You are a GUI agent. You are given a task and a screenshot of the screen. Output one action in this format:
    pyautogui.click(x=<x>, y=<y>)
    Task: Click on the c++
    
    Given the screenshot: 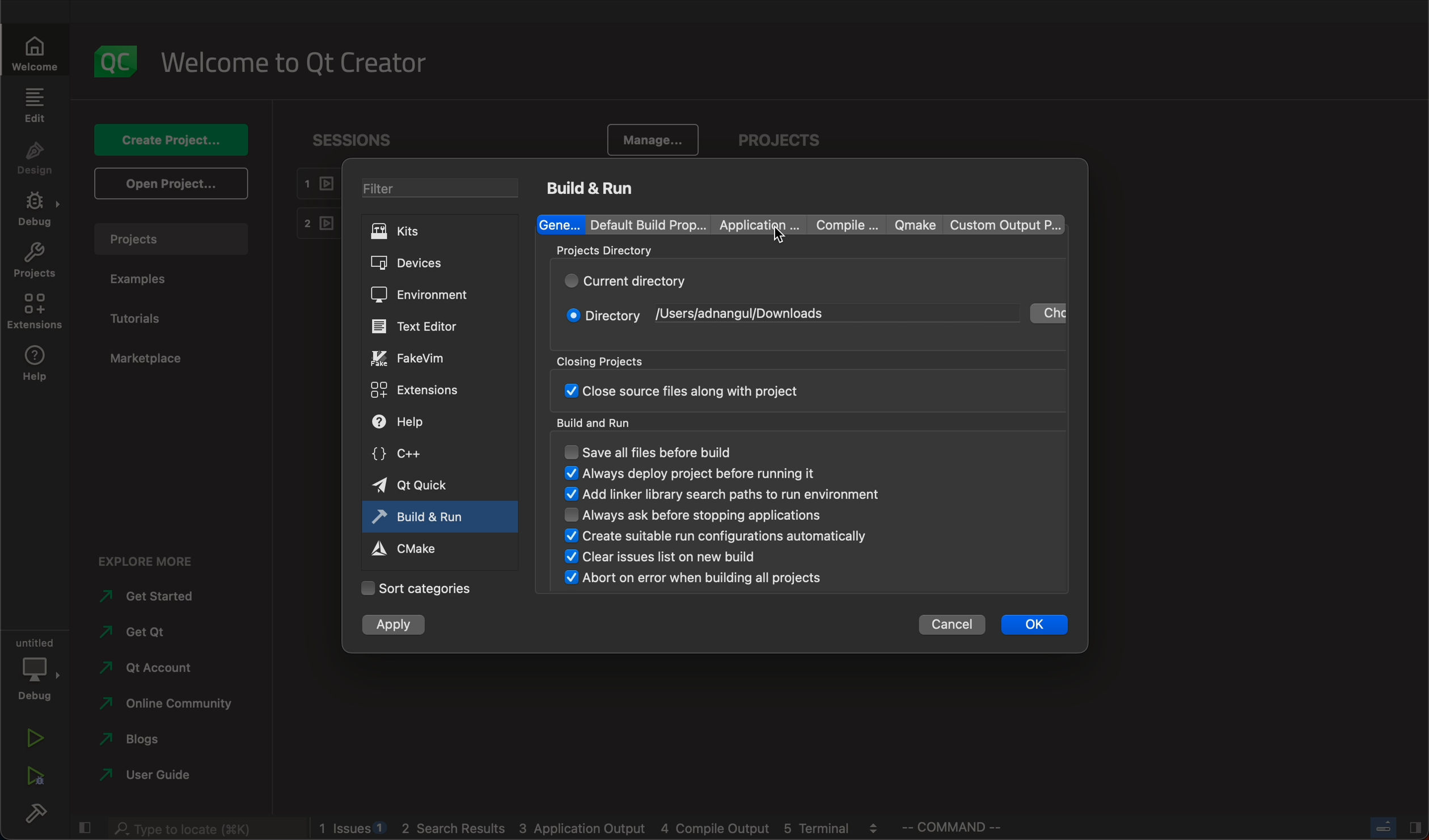 What is the action you would take?
    pyautogui.click(x=424, y=453)
    